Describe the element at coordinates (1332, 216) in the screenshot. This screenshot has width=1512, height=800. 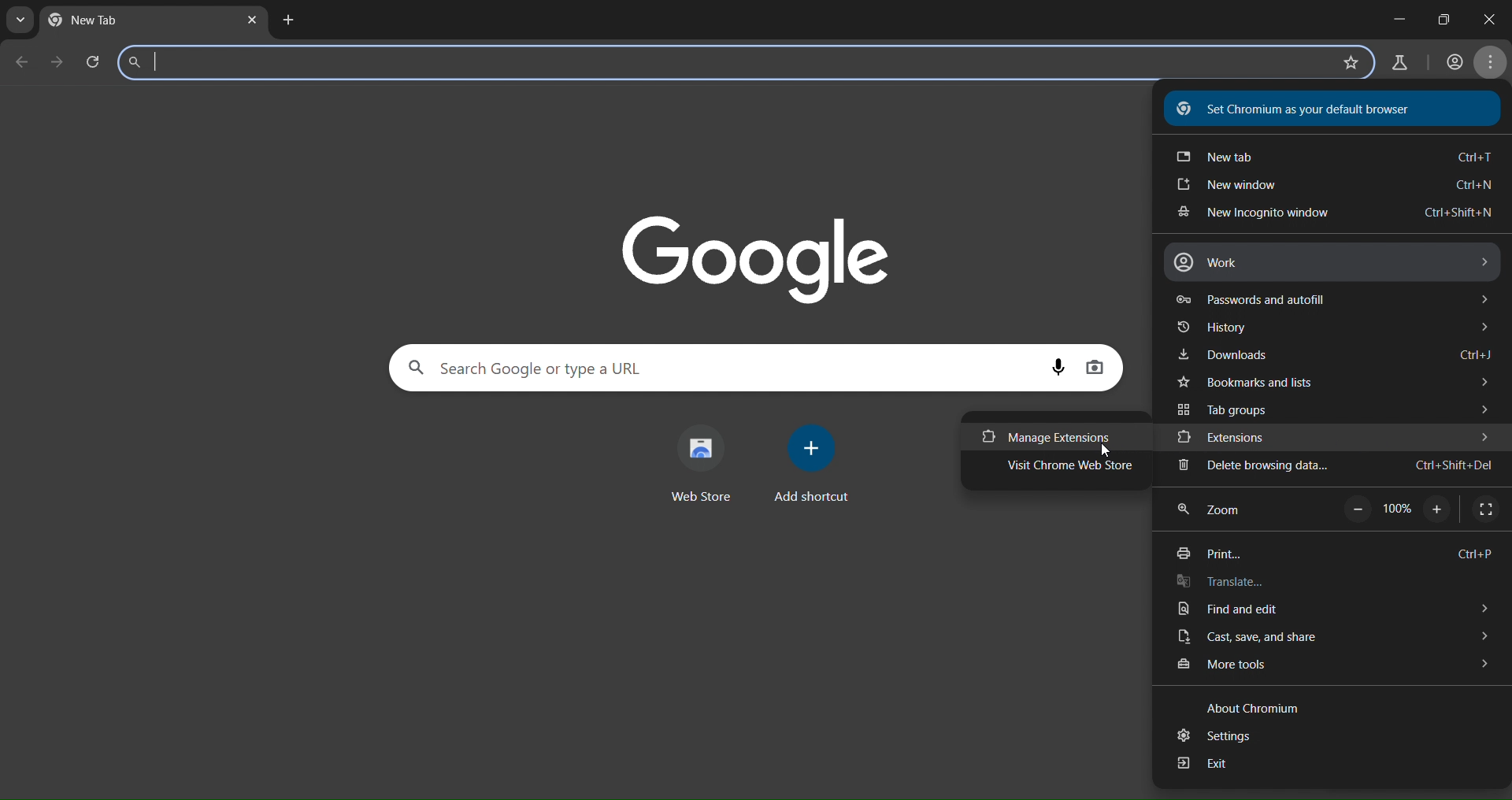
I see `new incognito window` at that location.